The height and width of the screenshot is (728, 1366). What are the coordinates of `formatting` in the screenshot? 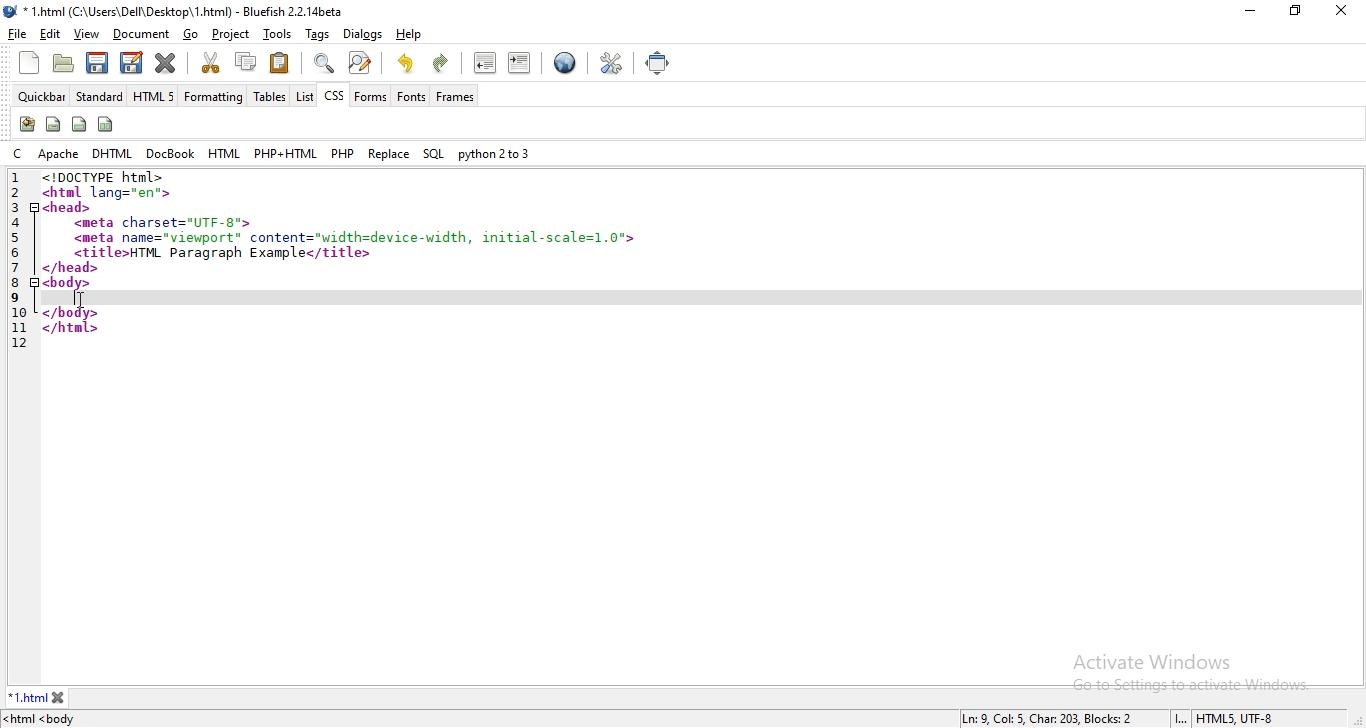 It's located at (215, 96).